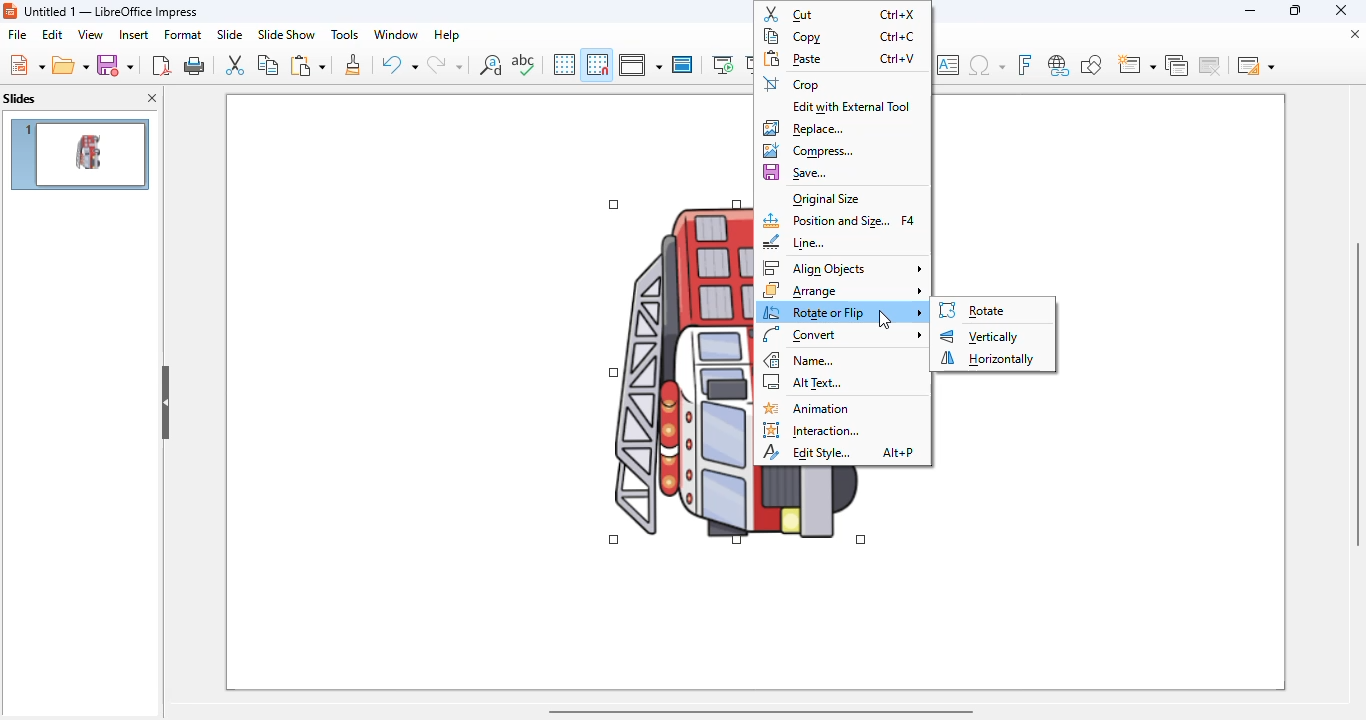 The width and height of the screenshot is (1366, 720). I want to click on slide 1, so click(80, 154).